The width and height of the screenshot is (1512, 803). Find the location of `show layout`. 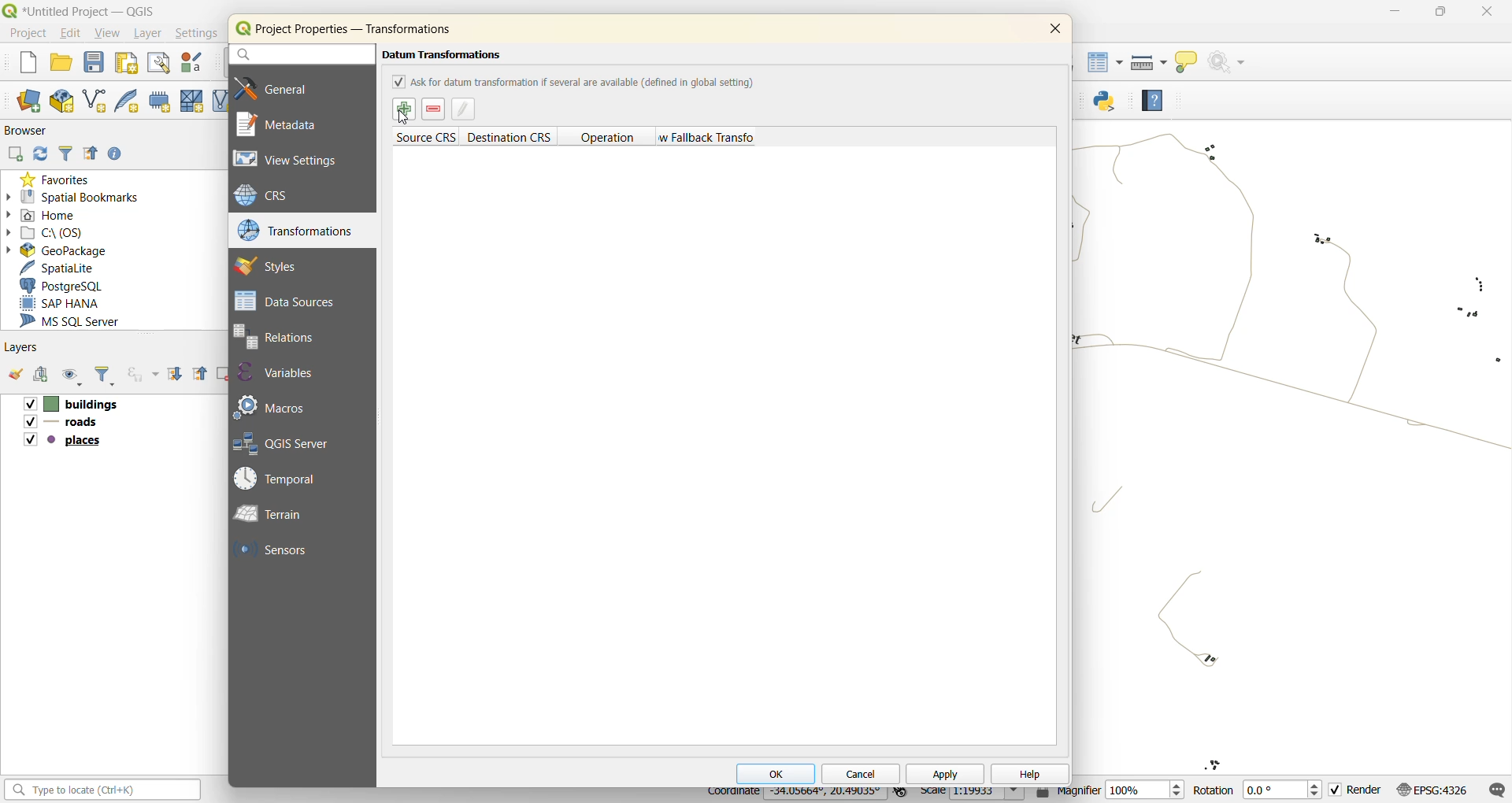

show layout is located at coordinates (154, 63).